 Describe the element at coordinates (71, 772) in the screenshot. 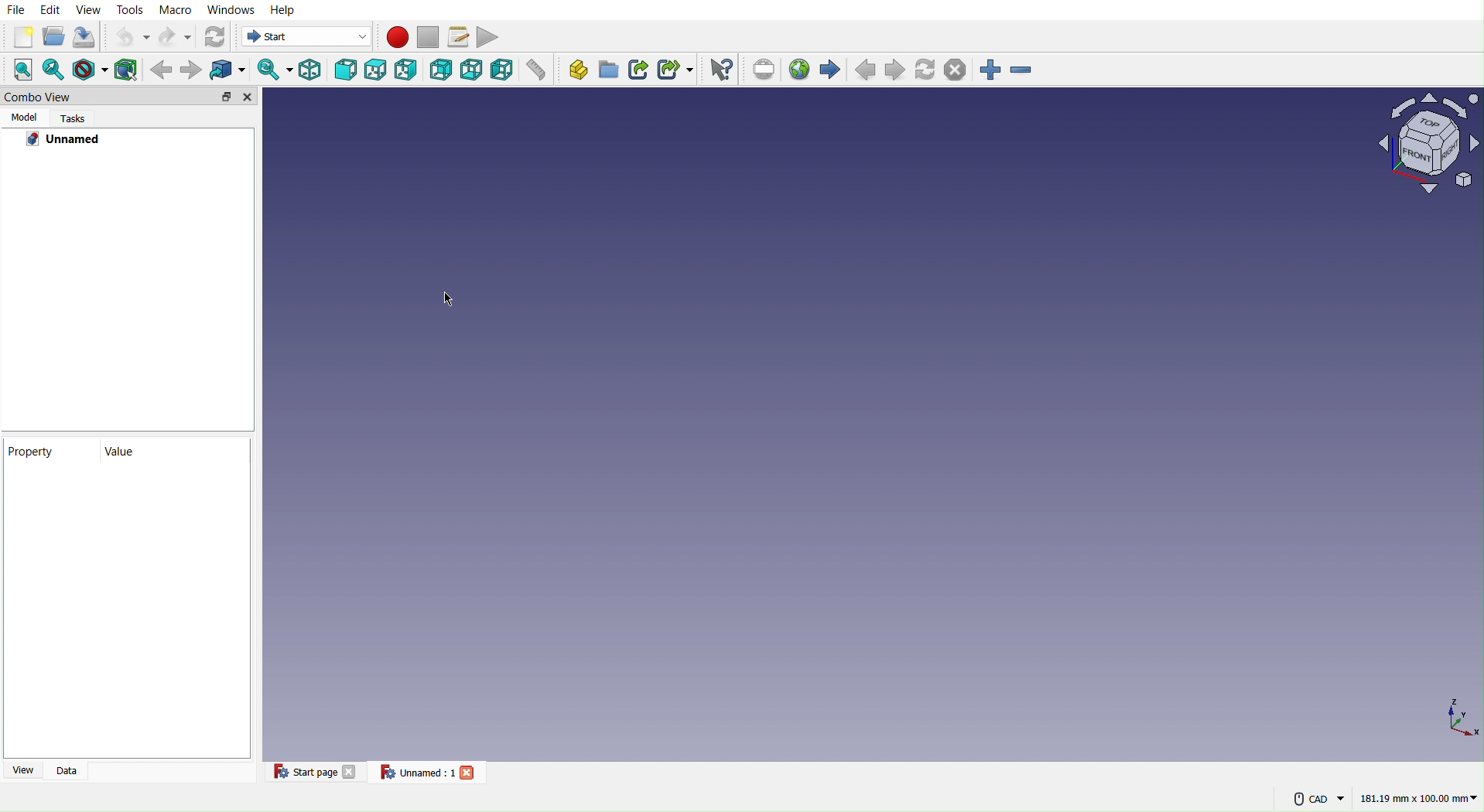

I see `Data` at that location.